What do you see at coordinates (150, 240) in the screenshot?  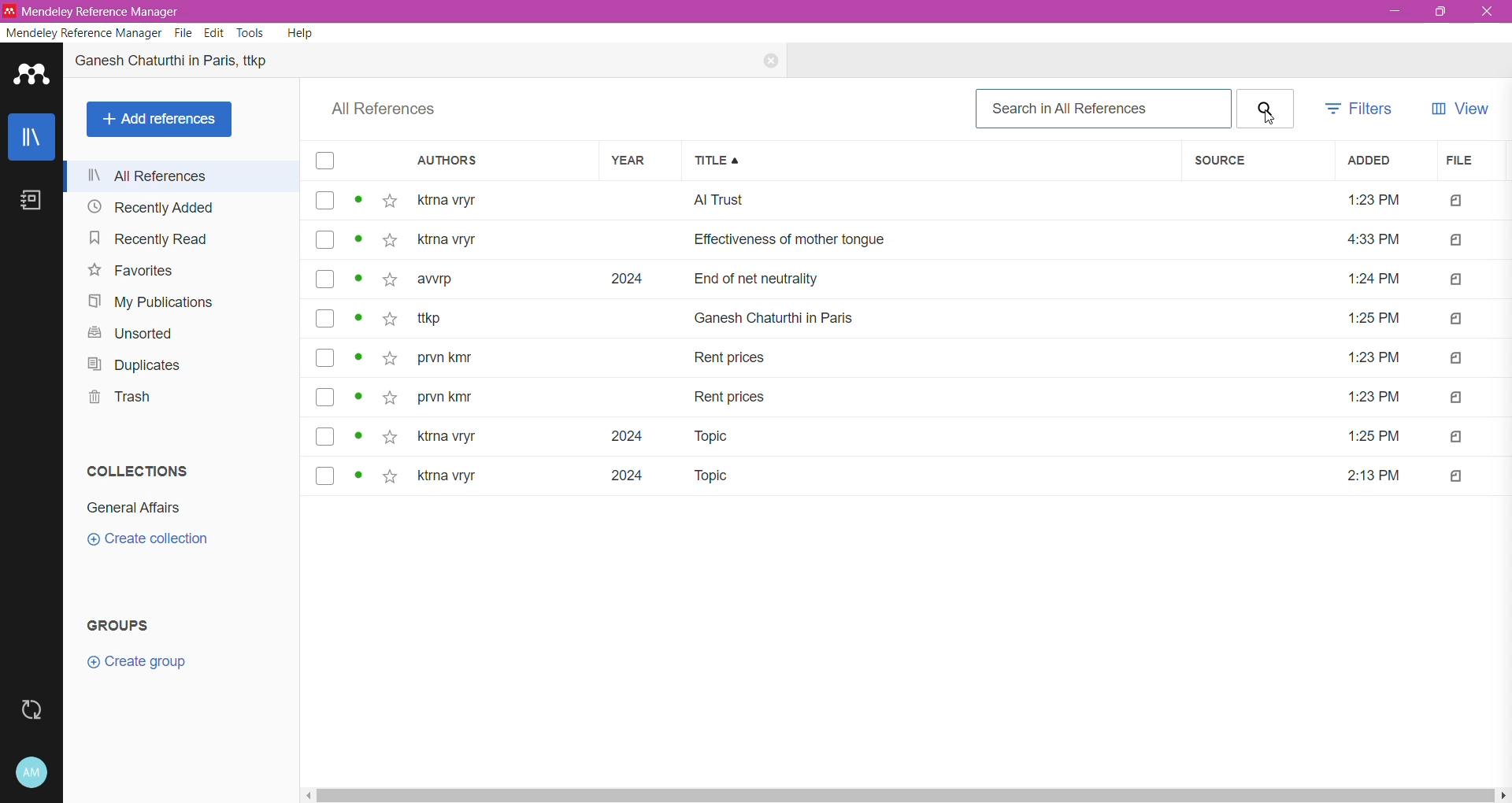 I see `Recently Read` at bounding box center [150, 240].